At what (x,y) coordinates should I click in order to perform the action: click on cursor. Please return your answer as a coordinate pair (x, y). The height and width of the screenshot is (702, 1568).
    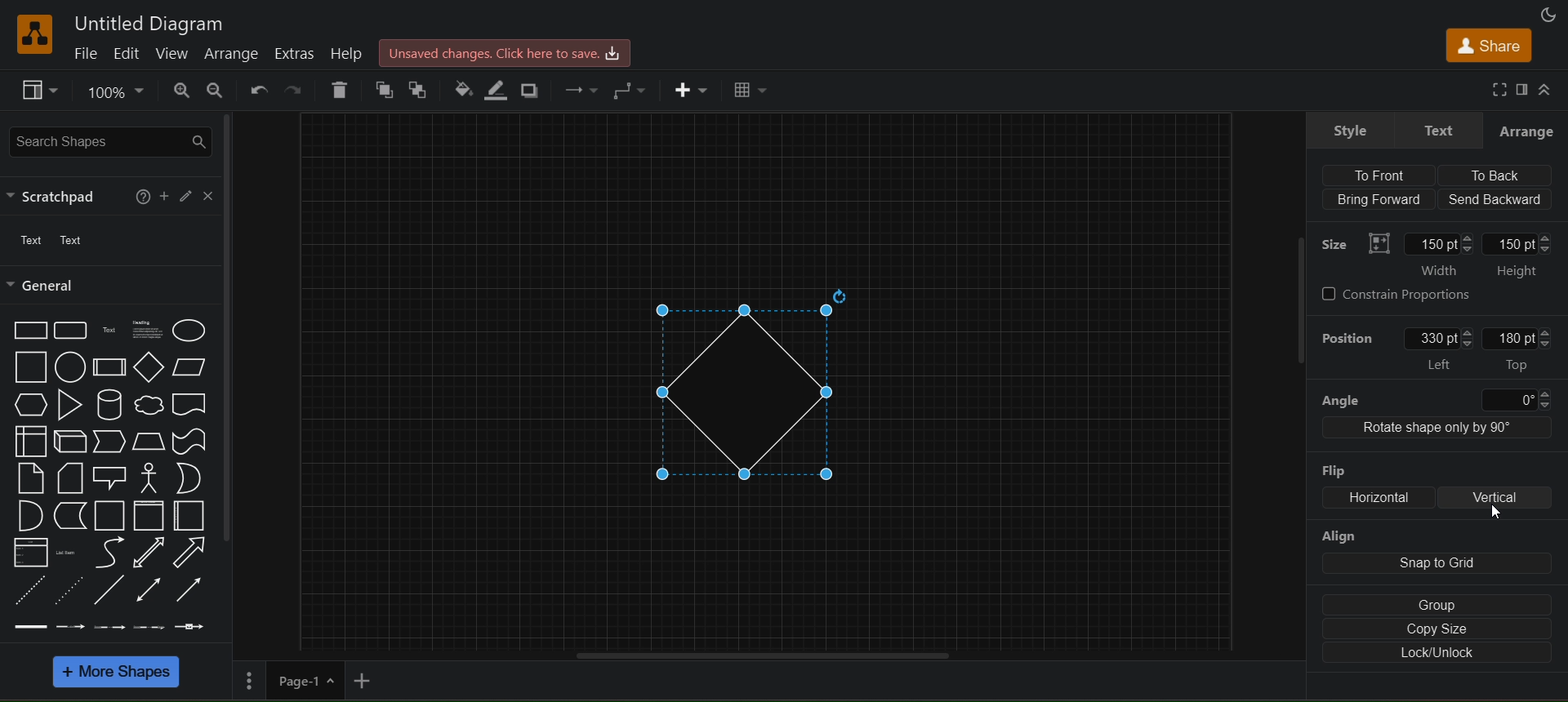
    Looking at the image, I should click on (1491, 515).